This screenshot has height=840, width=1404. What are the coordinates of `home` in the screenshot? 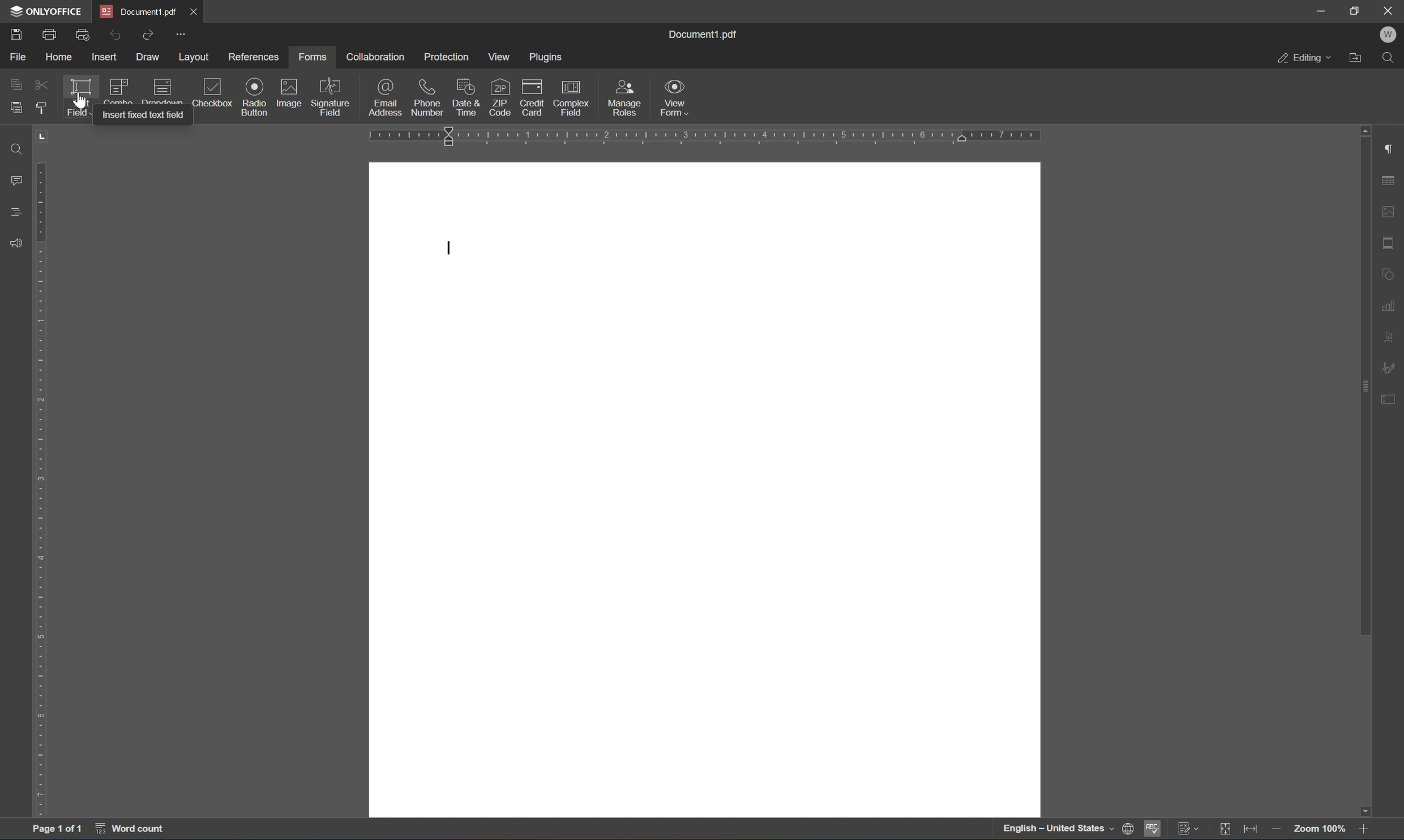 It's located at (60, 56).